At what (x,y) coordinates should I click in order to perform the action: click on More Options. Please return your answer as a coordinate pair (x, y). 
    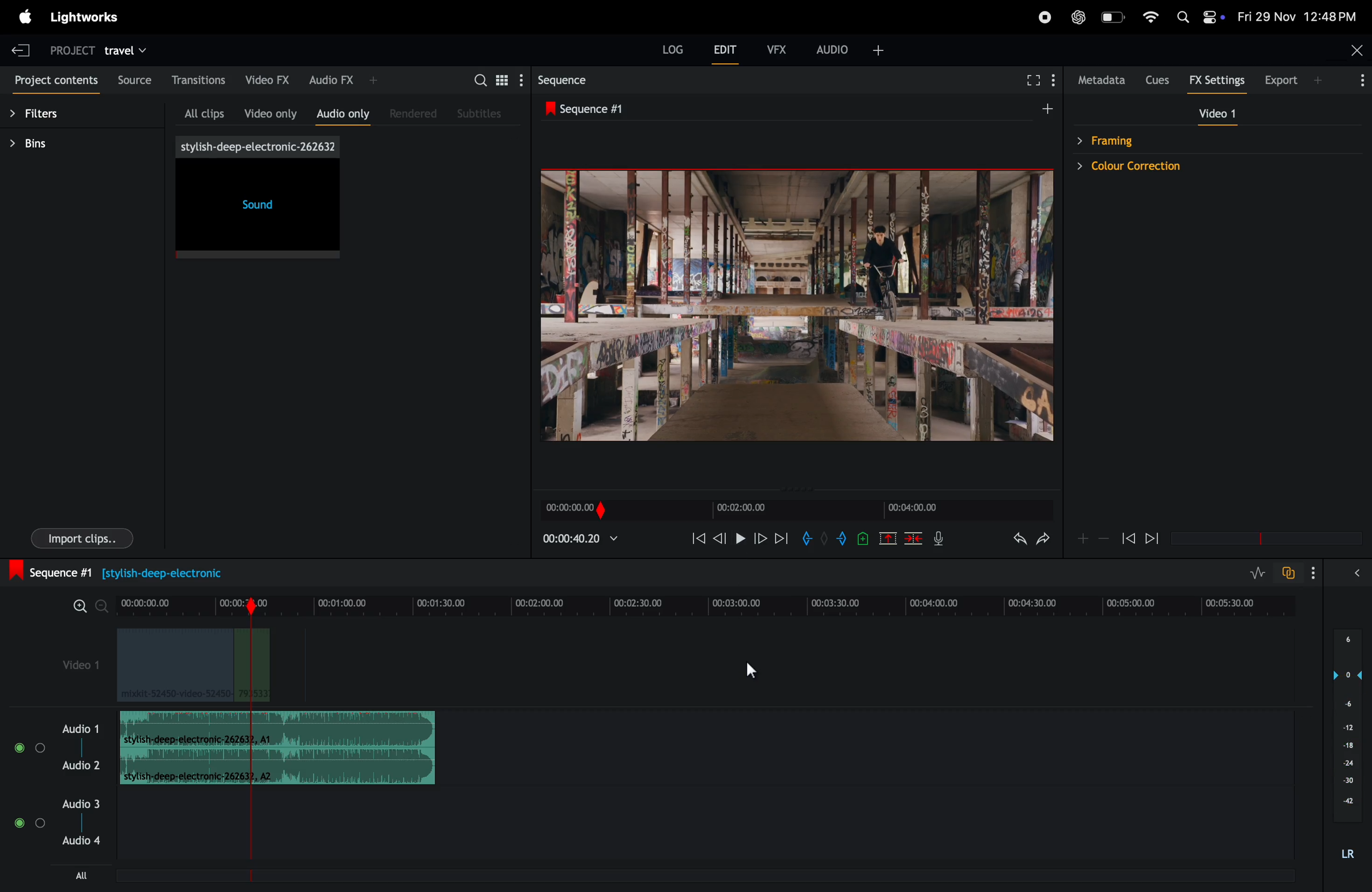
    Looking at the image, I should click on (1316, 573).